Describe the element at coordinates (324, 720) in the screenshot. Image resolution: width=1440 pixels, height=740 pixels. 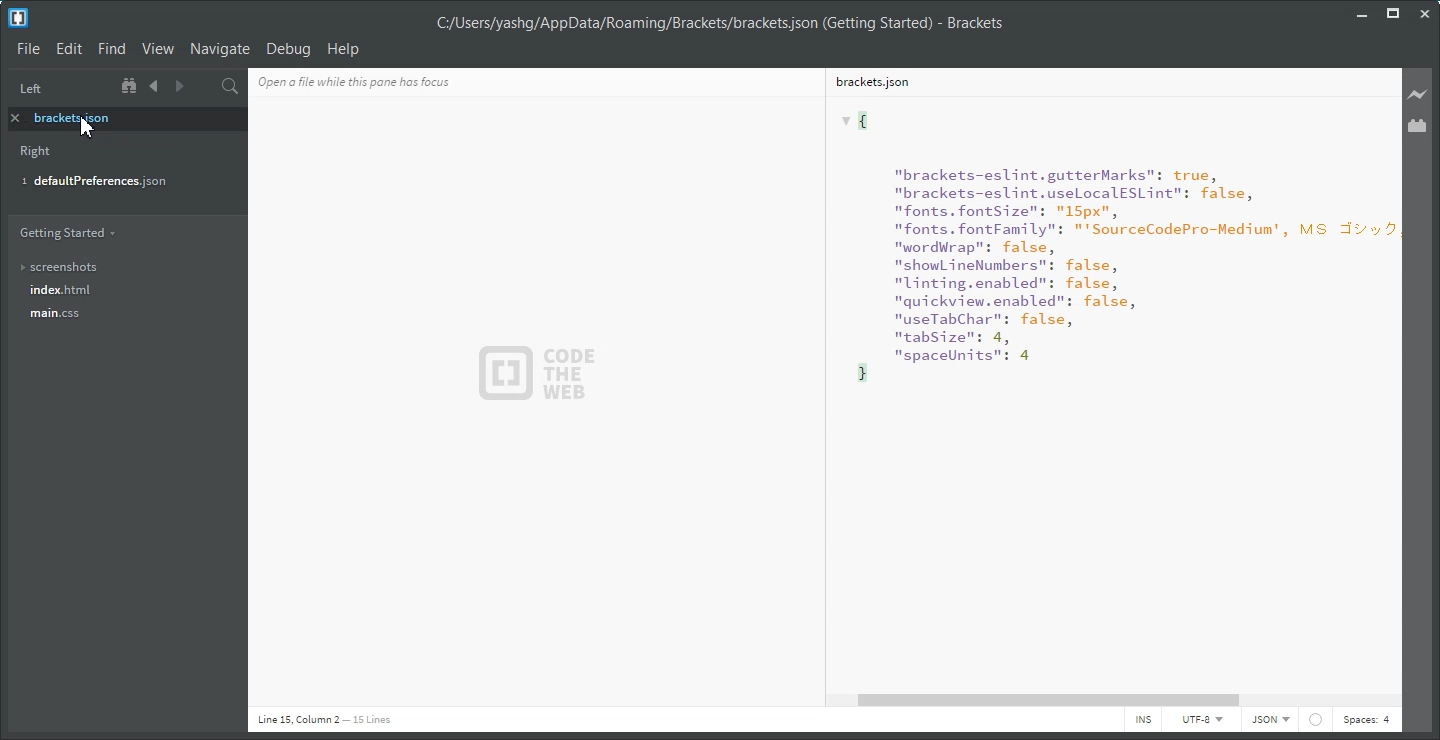
I see `Text` at that location.